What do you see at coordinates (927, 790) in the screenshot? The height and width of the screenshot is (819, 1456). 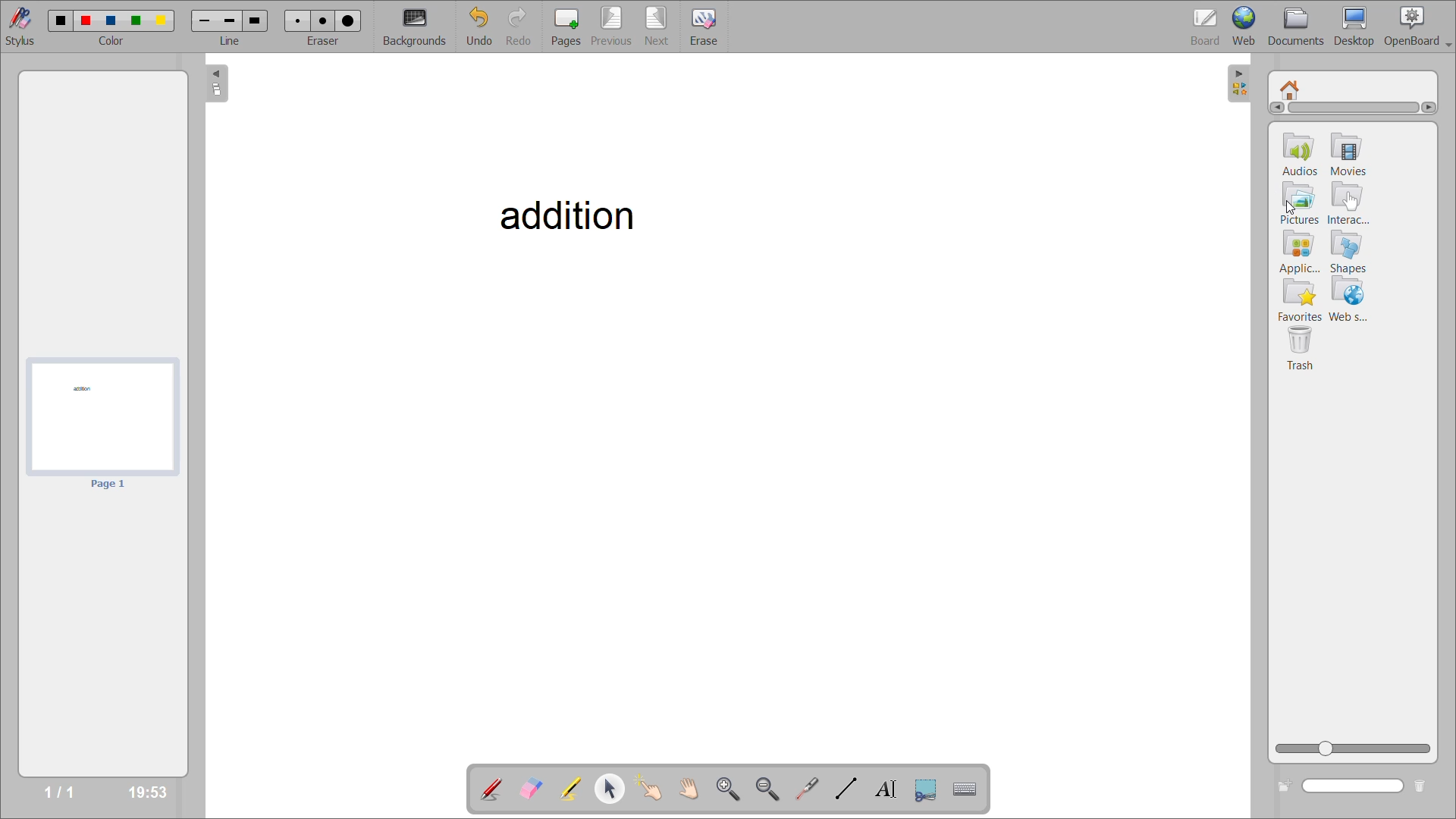 I see `capture part of the screen` at bounding box center [927, 790].